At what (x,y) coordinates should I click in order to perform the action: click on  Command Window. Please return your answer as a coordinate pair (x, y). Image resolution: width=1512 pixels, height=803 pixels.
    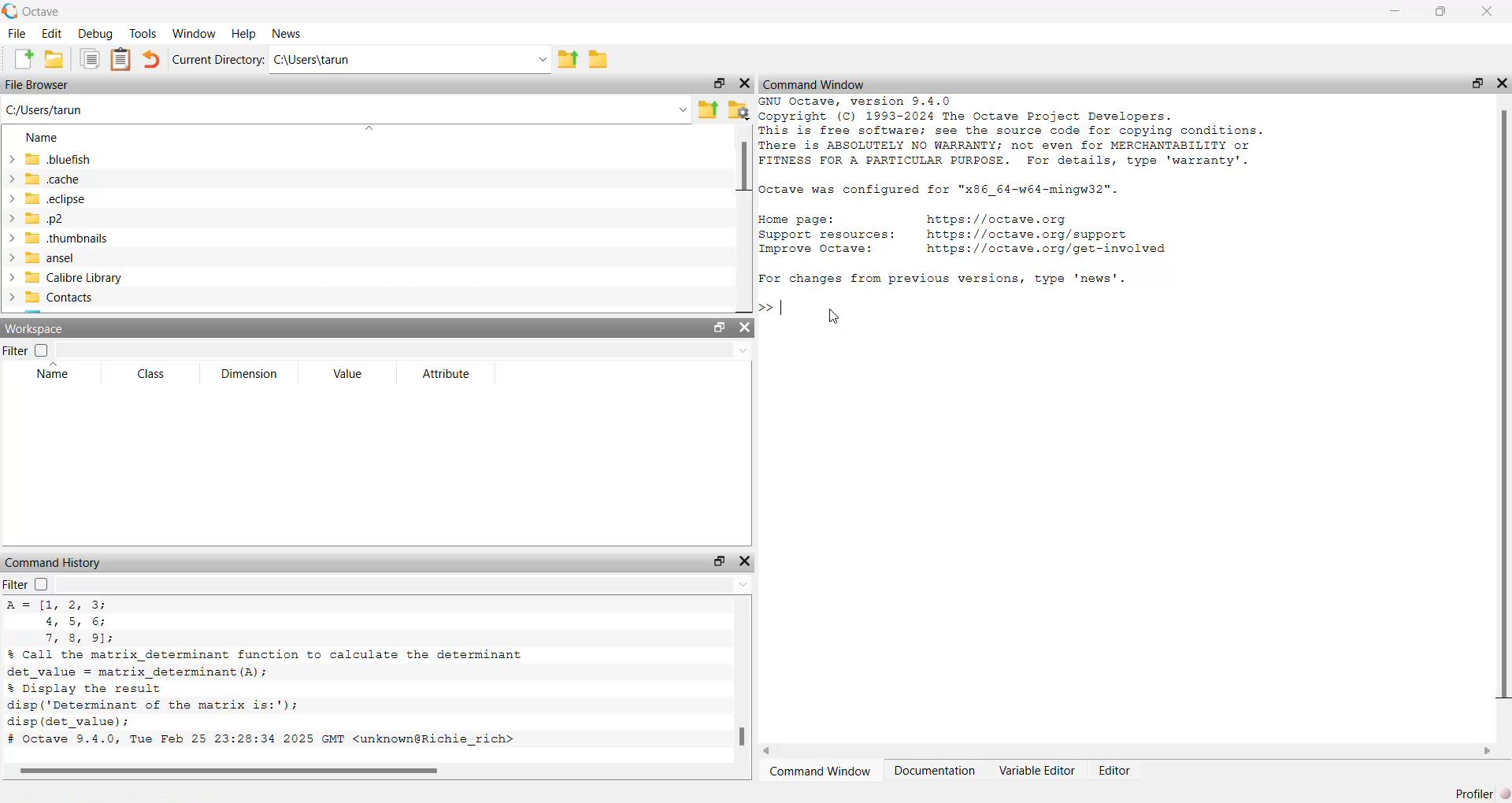
    Looking at the image, I should click on (821, 771).